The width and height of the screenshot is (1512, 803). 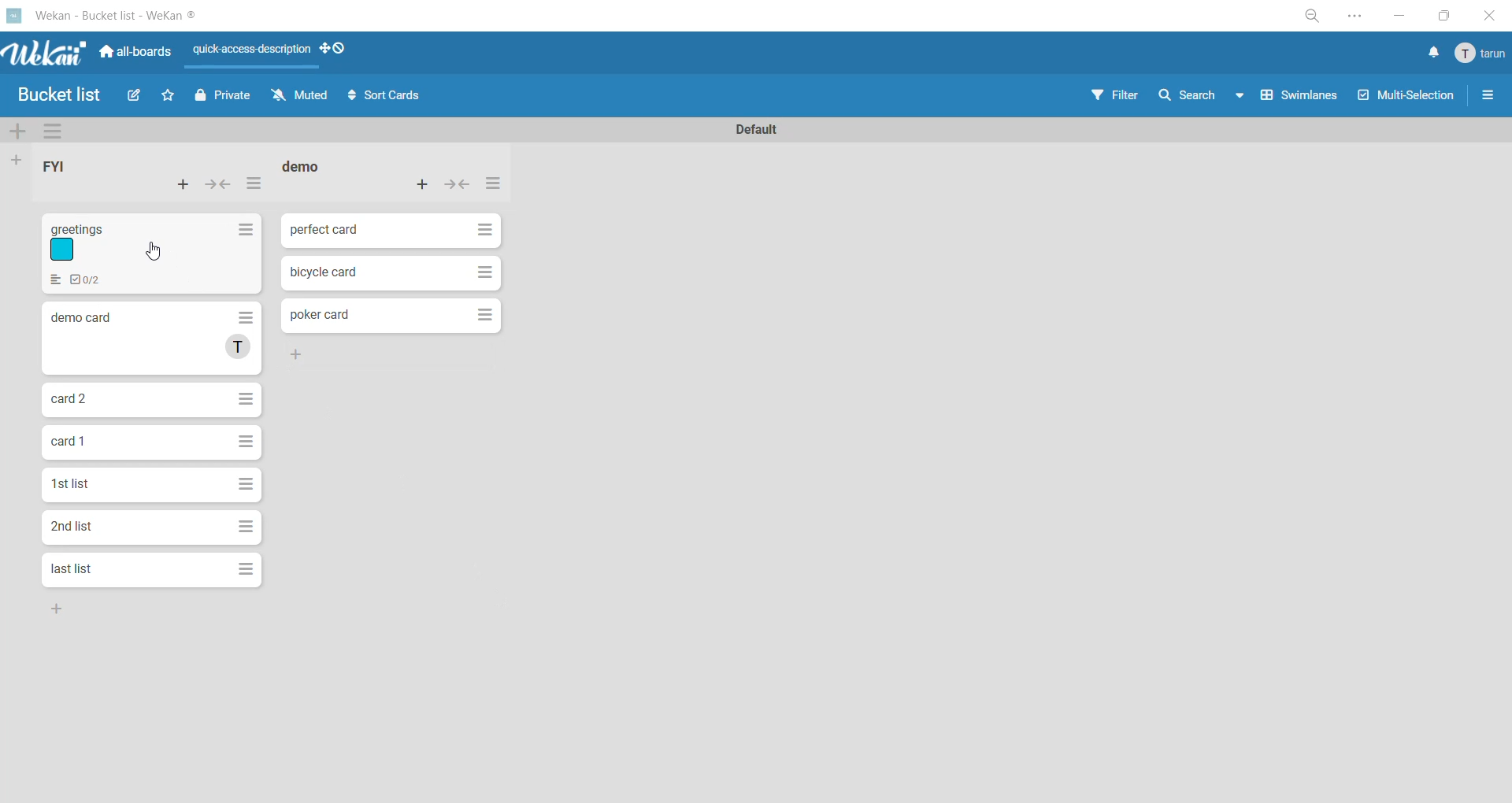 I want to click on multiselection, so click(x=1406, y=102).